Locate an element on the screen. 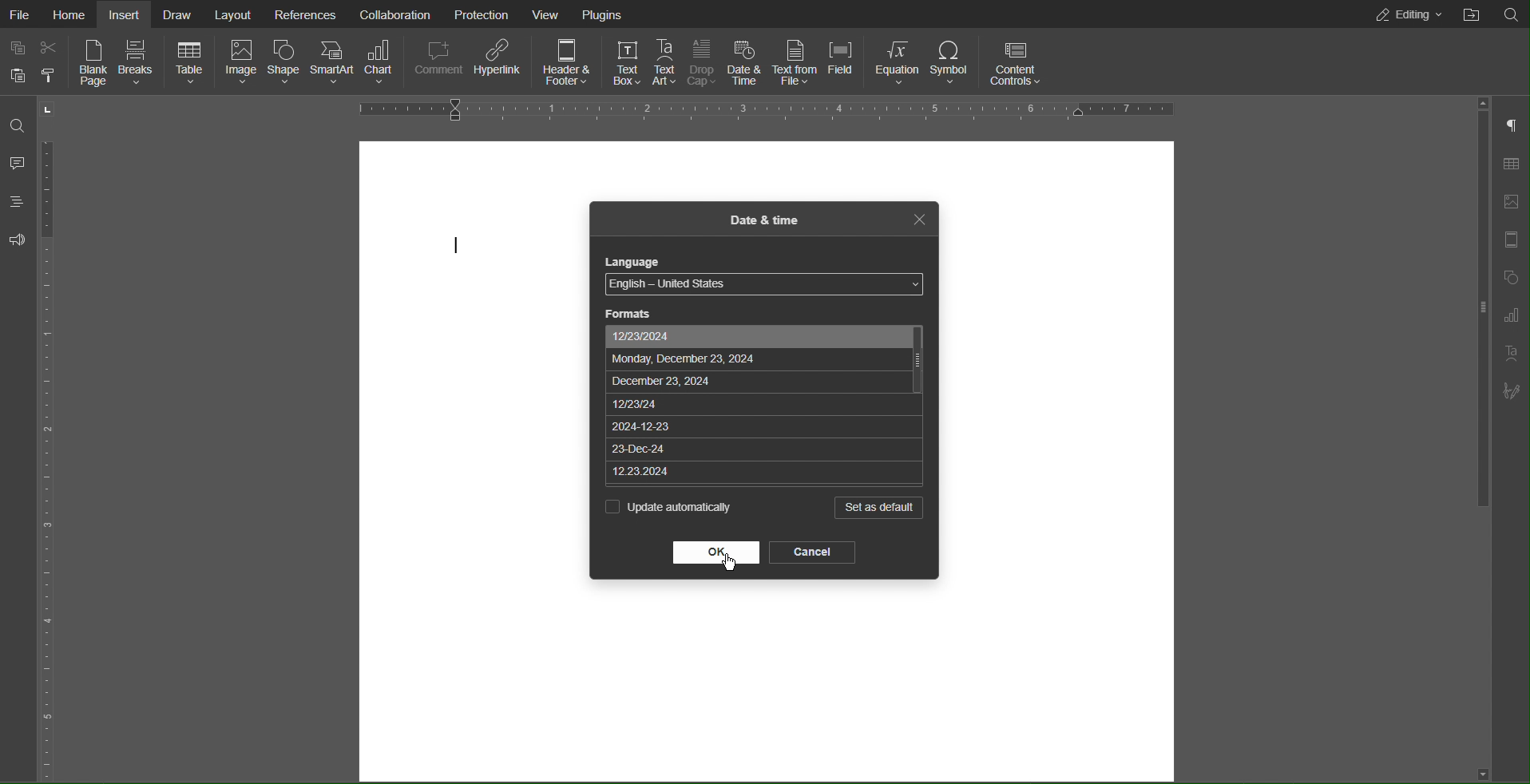  Shape is located at coordinates (283, 63).